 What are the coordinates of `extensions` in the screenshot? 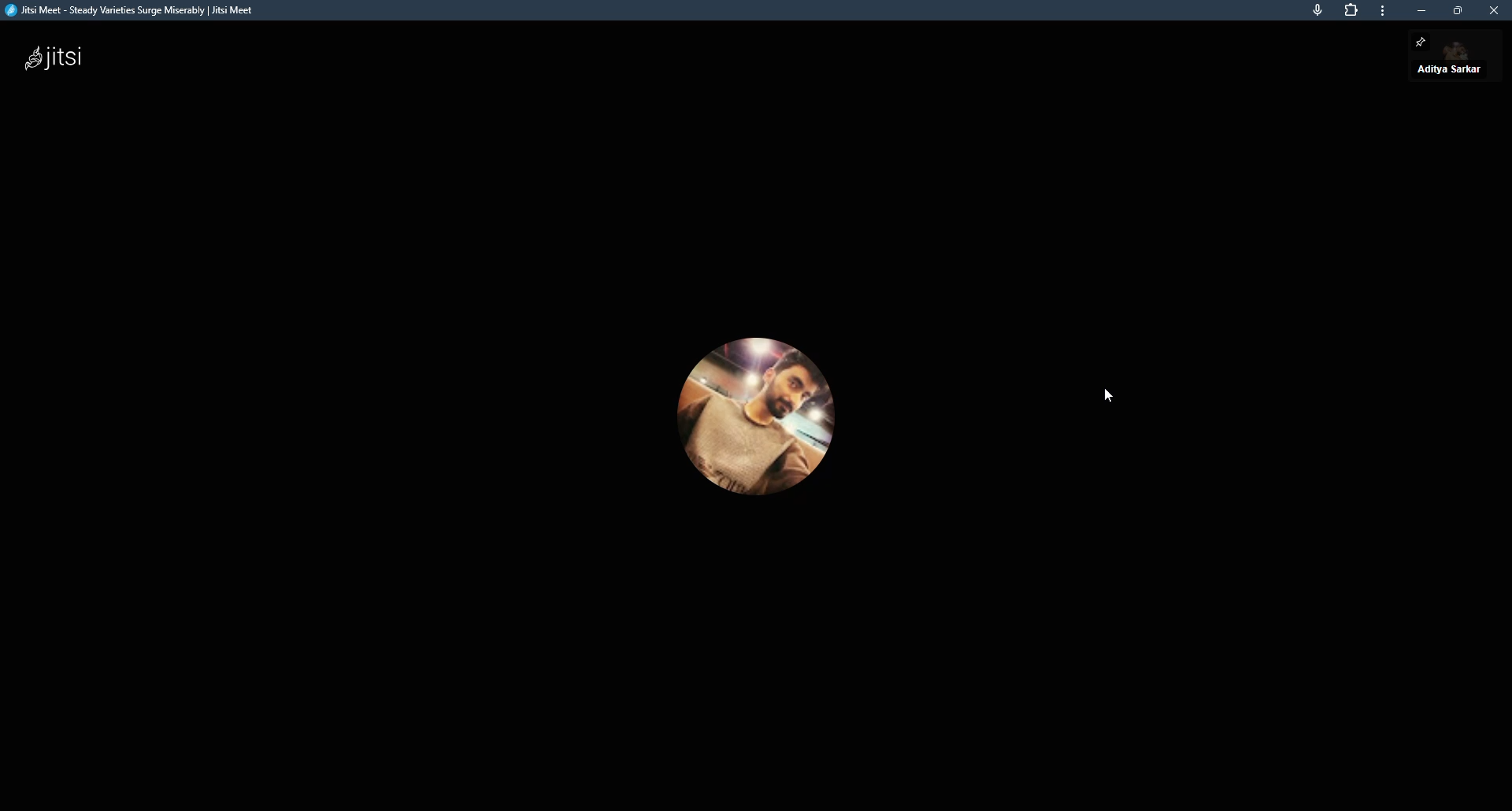 It's located at (1348, 10).